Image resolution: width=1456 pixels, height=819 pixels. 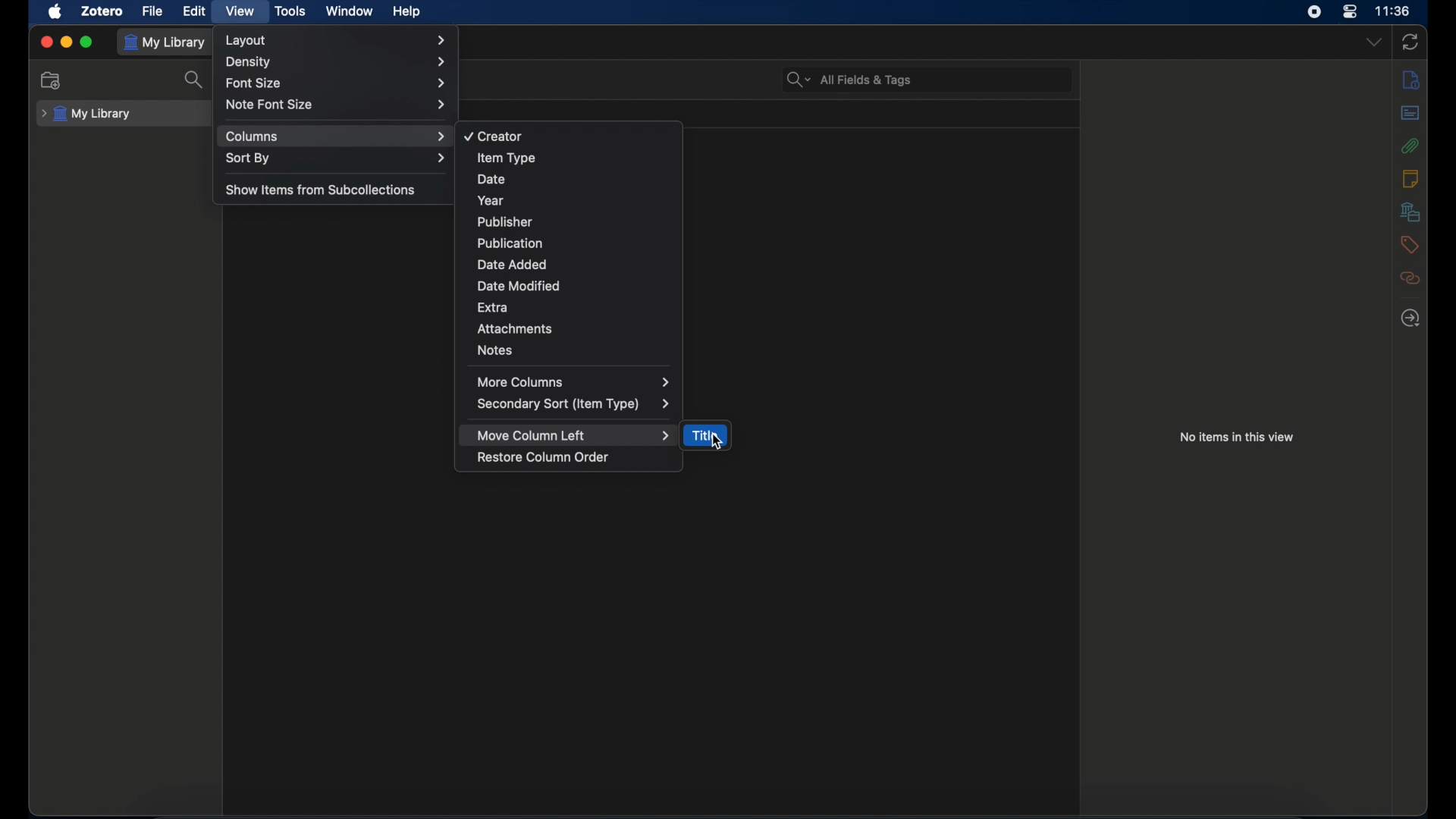 I want to click on abstract, so click(x=1410, y=113).